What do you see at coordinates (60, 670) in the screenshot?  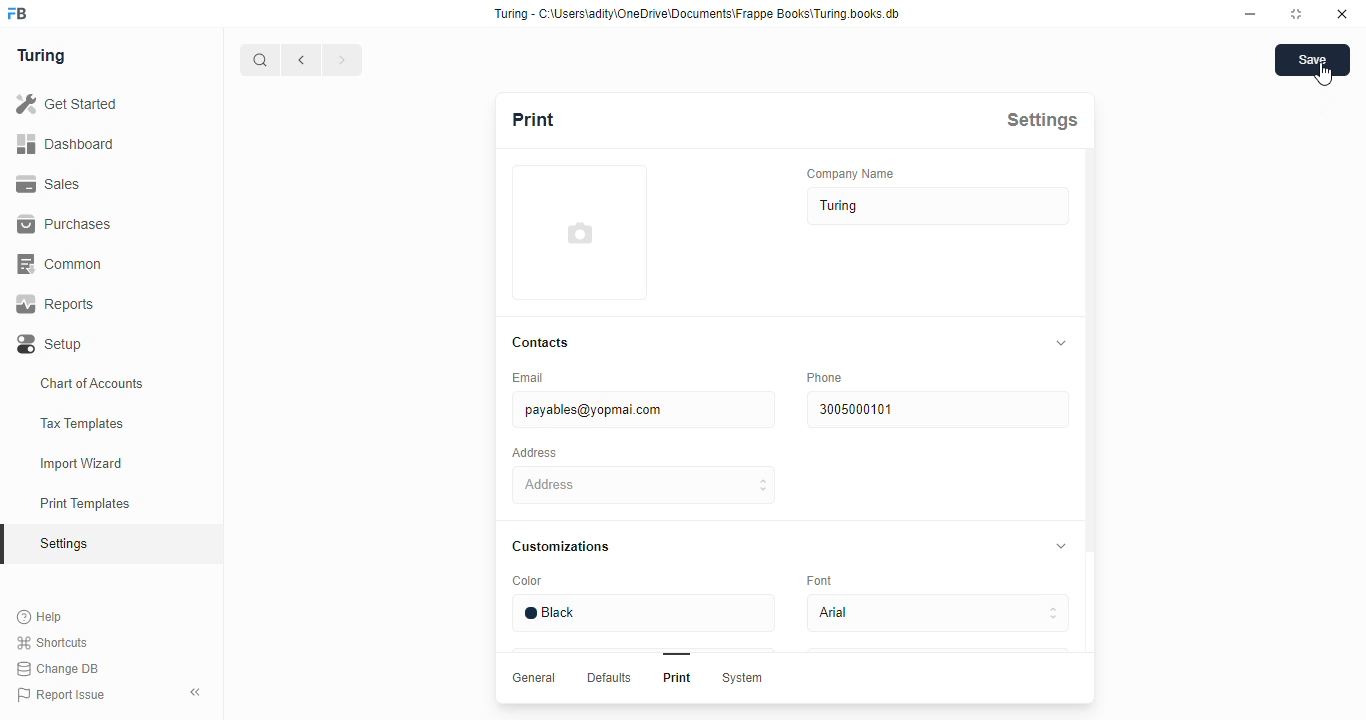 I see `Change DB` at bounding box center [60, 670].